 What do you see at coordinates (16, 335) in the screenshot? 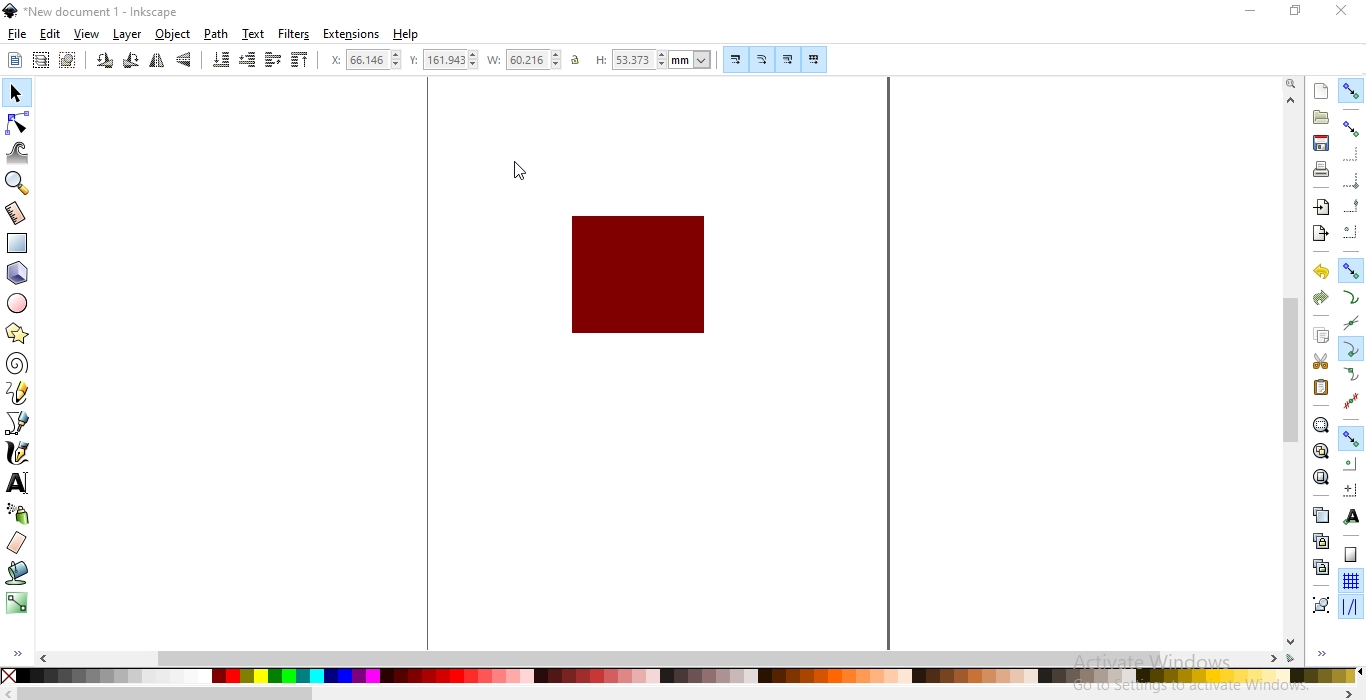
I see `create stars and polygons` at bounding box center [16, 335].